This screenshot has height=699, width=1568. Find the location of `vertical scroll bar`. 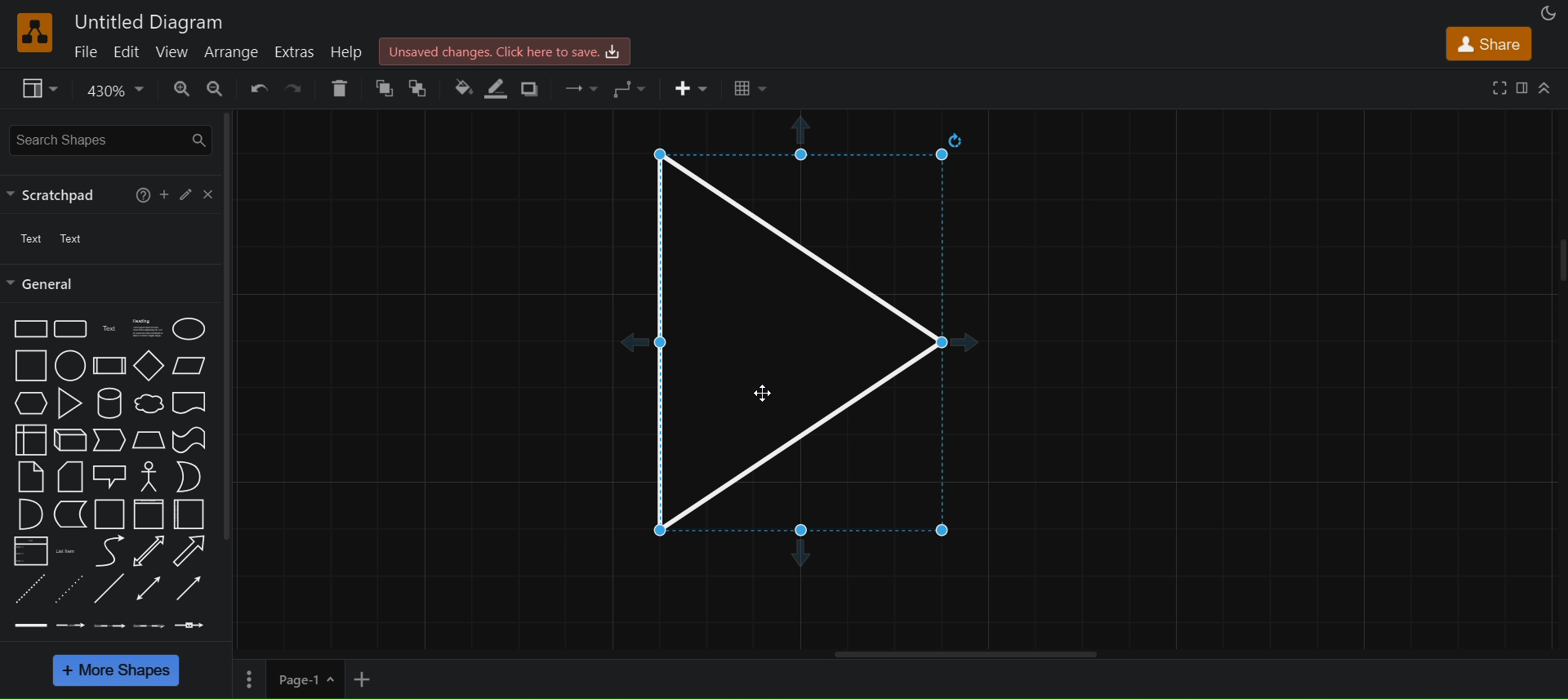

vertical scroll bar is located at coordinates (227, 326).